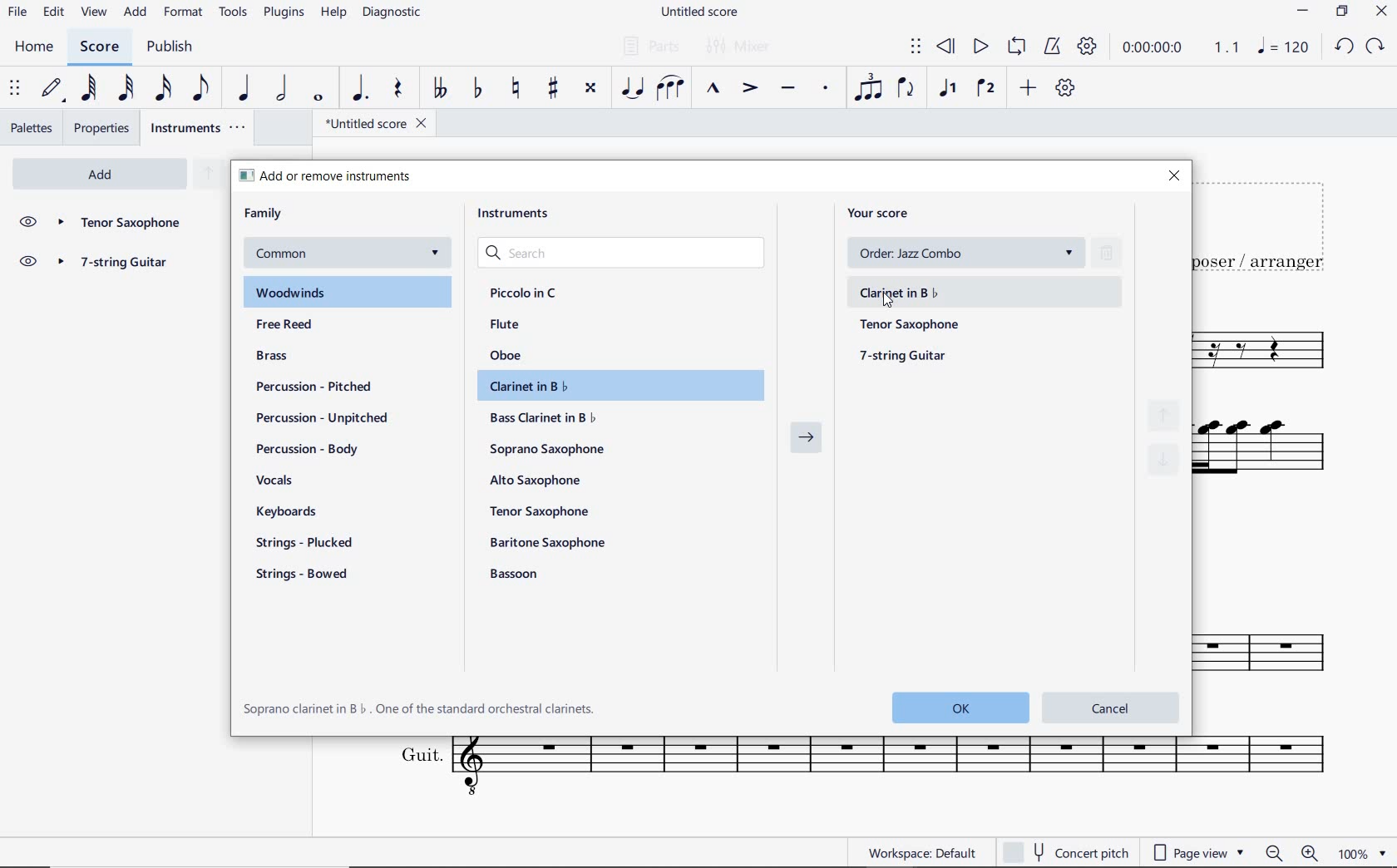 This screenshot has width=1397, height=868. I want to click on TITLE, so click(1268, 225).